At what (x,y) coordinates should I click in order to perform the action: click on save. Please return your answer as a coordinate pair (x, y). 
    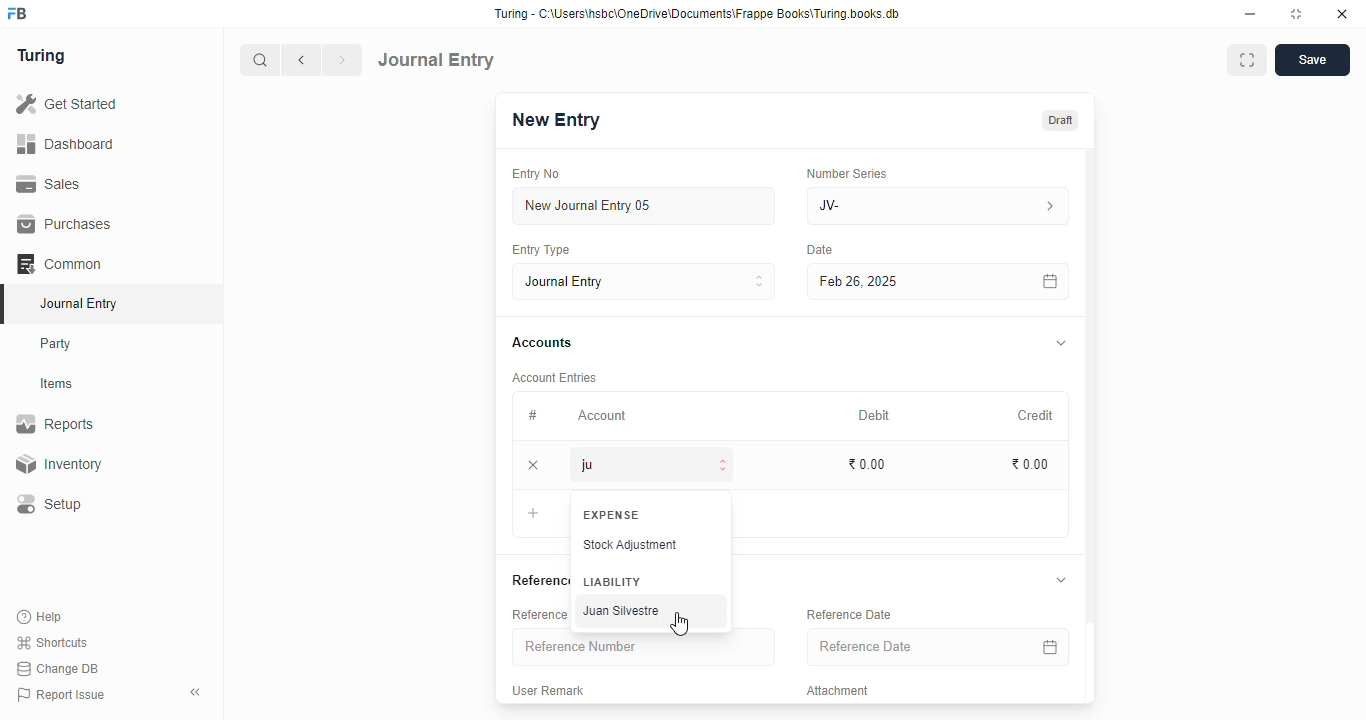
    Looking at the image, I should click on (1312, 60).